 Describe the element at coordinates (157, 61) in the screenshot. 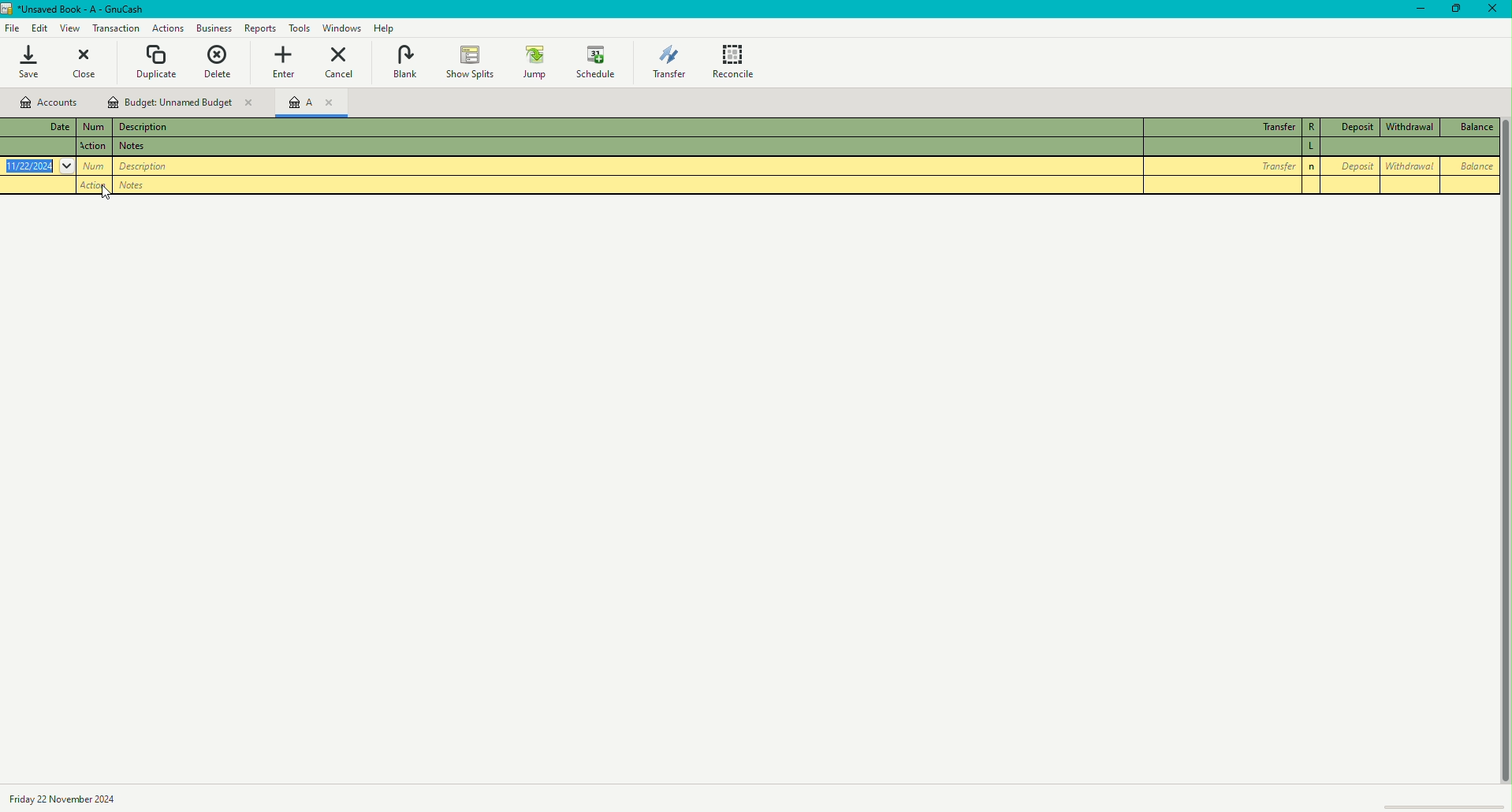

I see `Duplicate` at that location.